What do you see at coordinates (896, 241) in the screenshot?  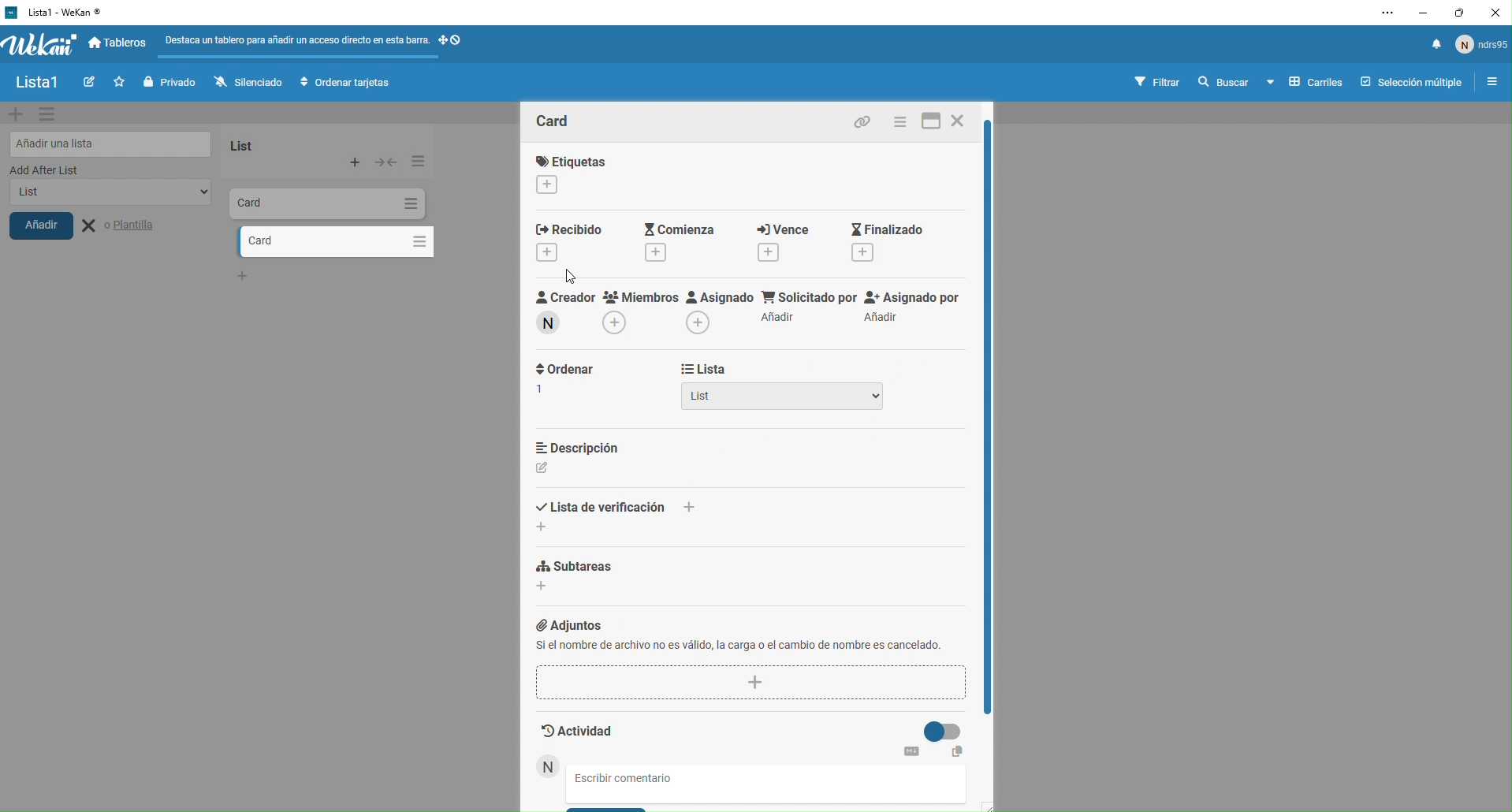 I see `Finalizado` at bounding box center [896, 241].